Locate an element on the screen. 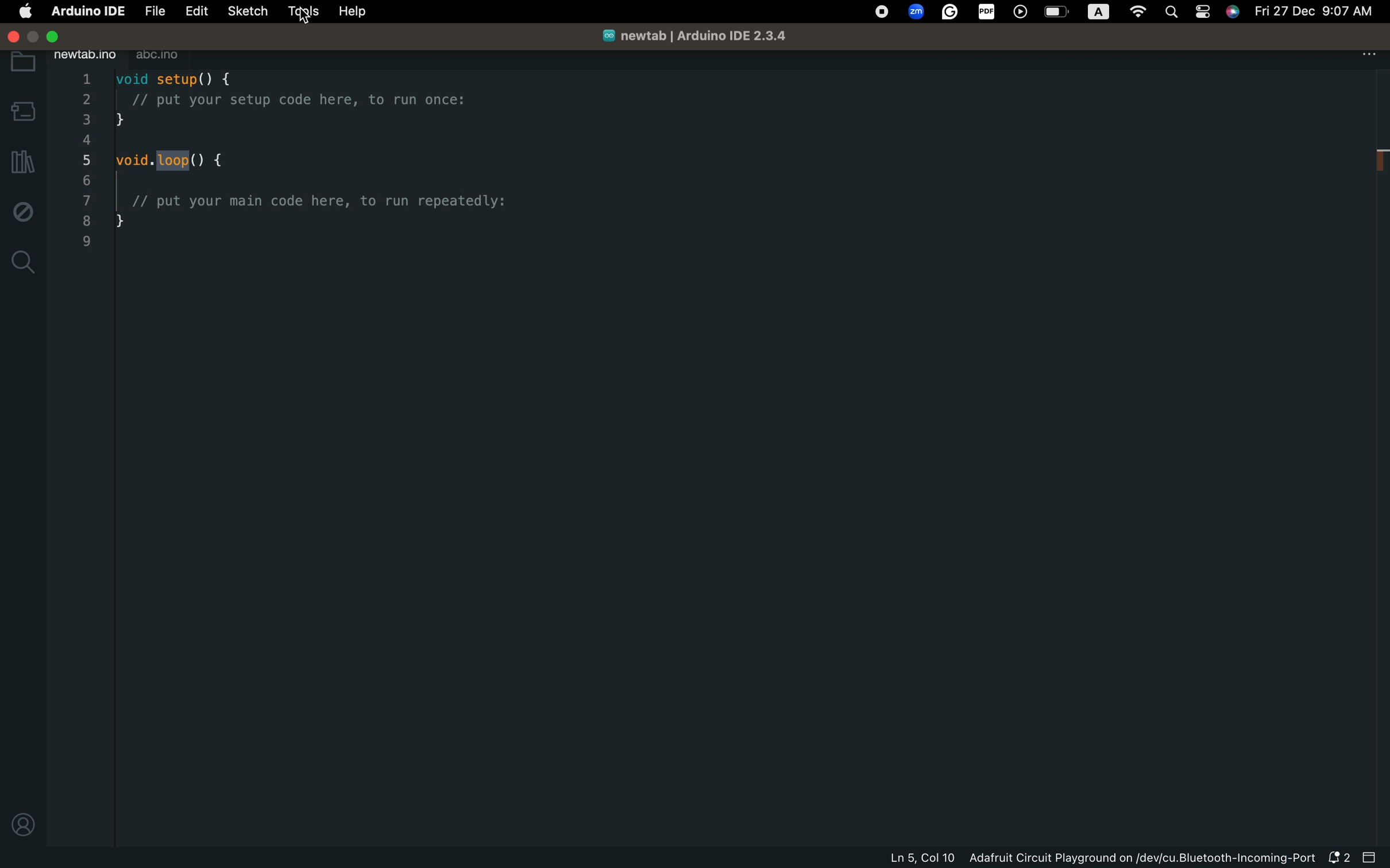 The height and width of the screenshot is (868, 1390). notification is located at coordinates (1337, 859).